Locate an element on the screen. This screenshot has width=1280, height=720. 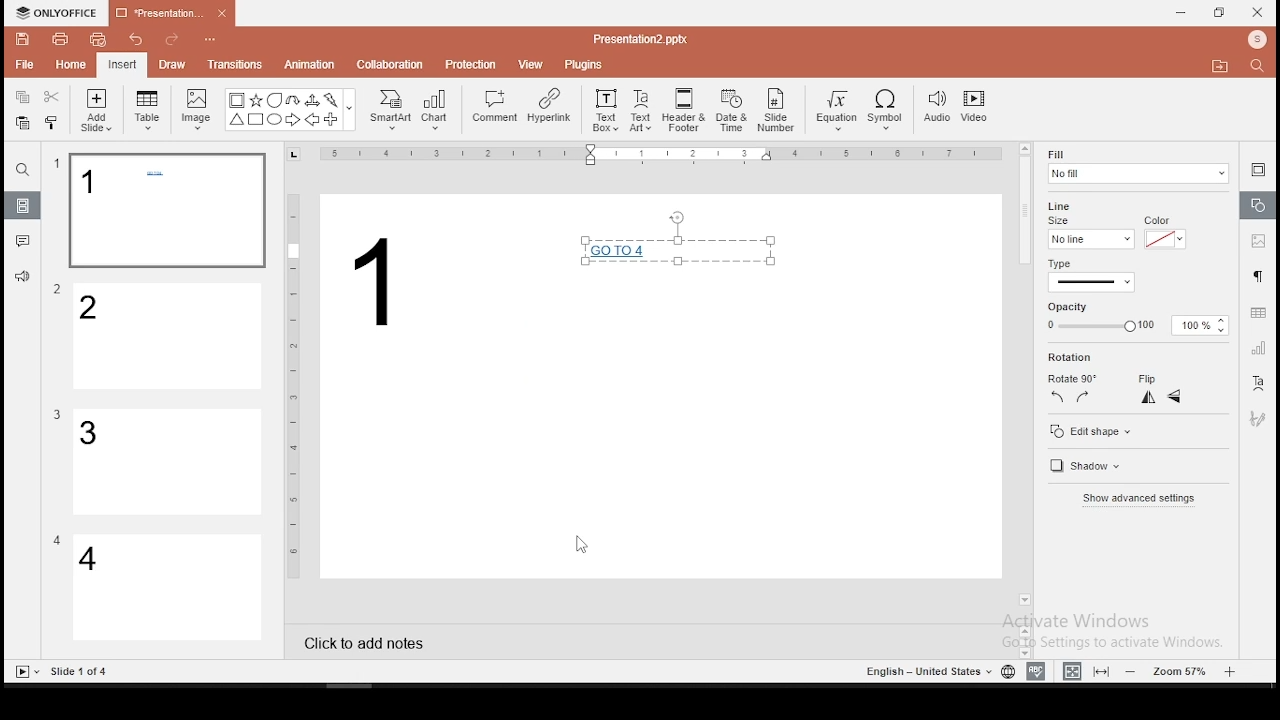
fill is located at coordinates (1137, 166).